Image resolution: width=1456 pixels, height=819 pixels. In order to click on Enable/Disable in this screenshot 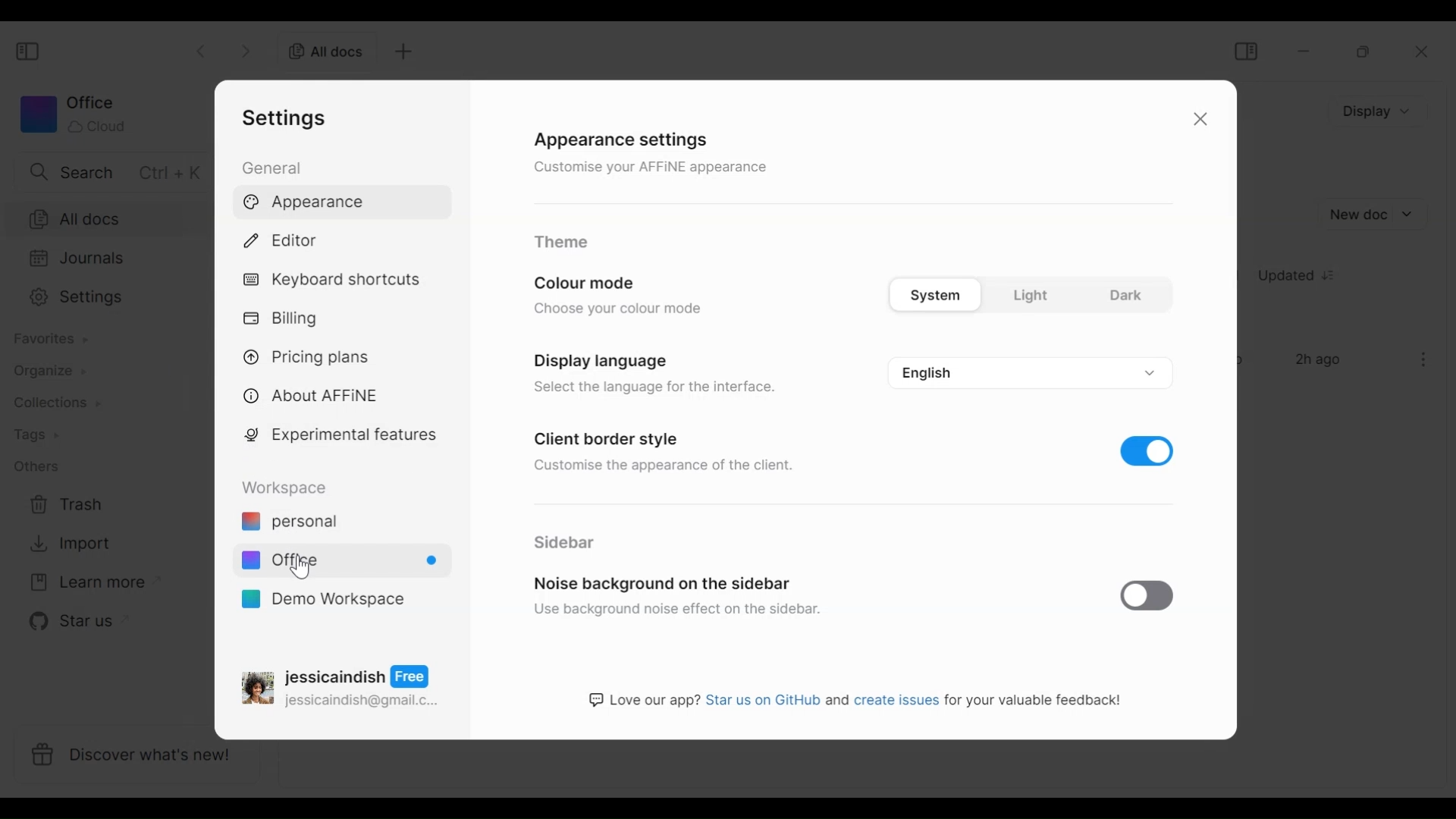, I will do `click(1150, 595)`.